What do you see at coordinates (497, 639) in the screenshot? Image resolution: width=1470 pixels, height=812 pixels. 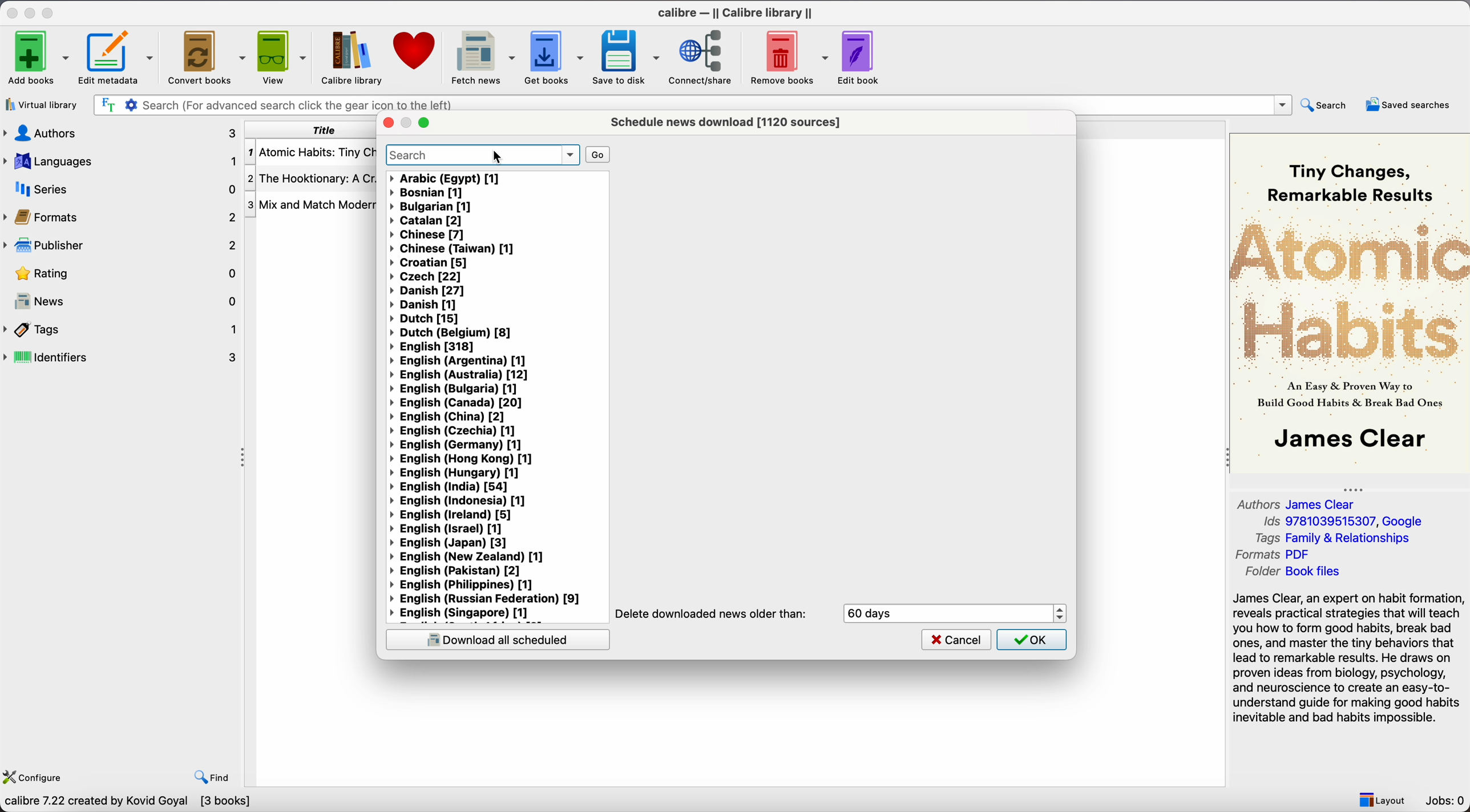 I see `download scheduled` at bounding box center [497, 639].